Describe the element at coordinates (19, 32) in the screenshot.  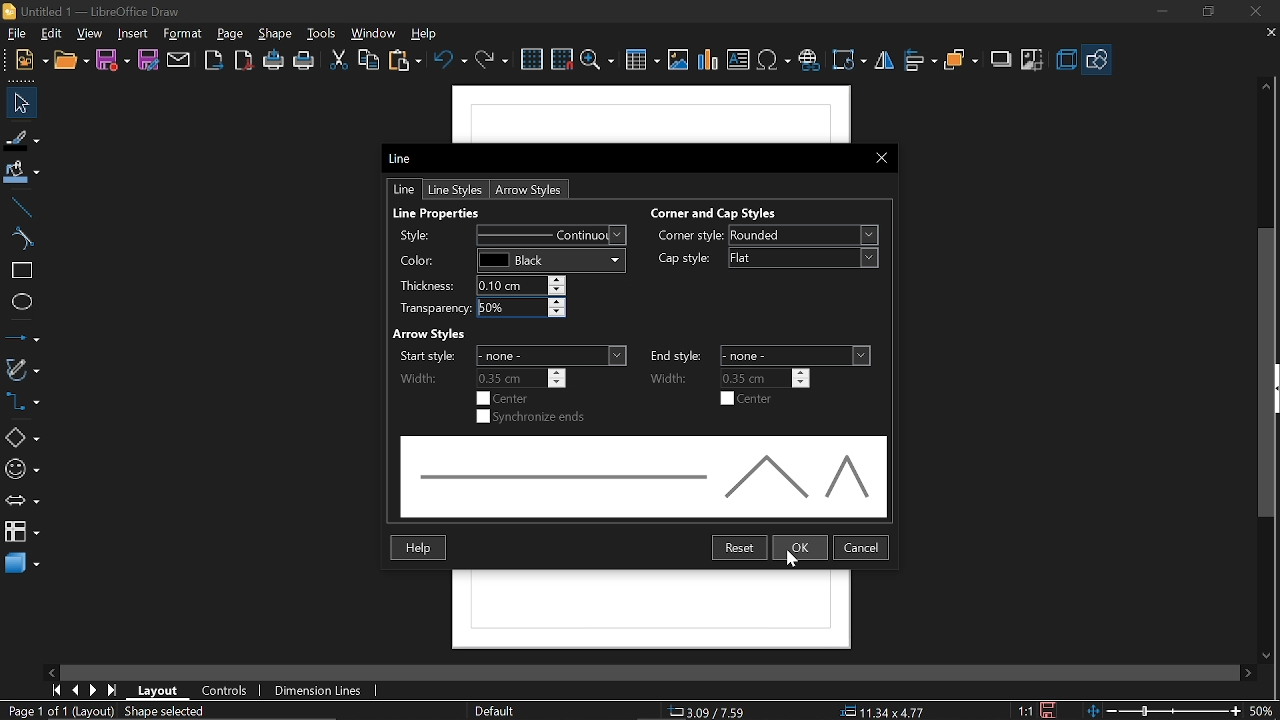
I see `File` at that location.